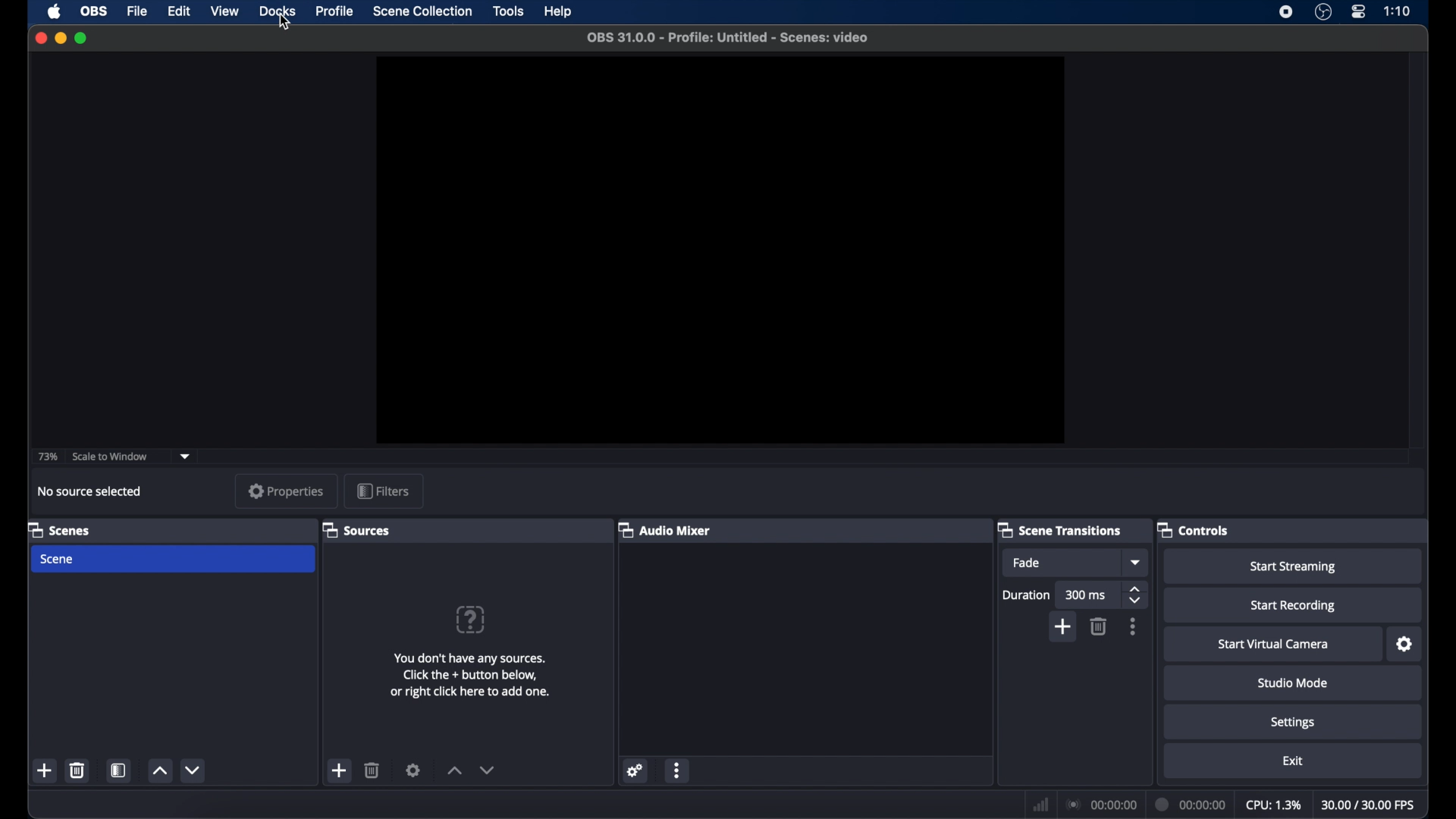 Image resolution: width=1456 pixels, height=819 pixels. What do you see at coordinates (336, 11) in the screenshot?
I see `profile` at bounding box center [336, 11].